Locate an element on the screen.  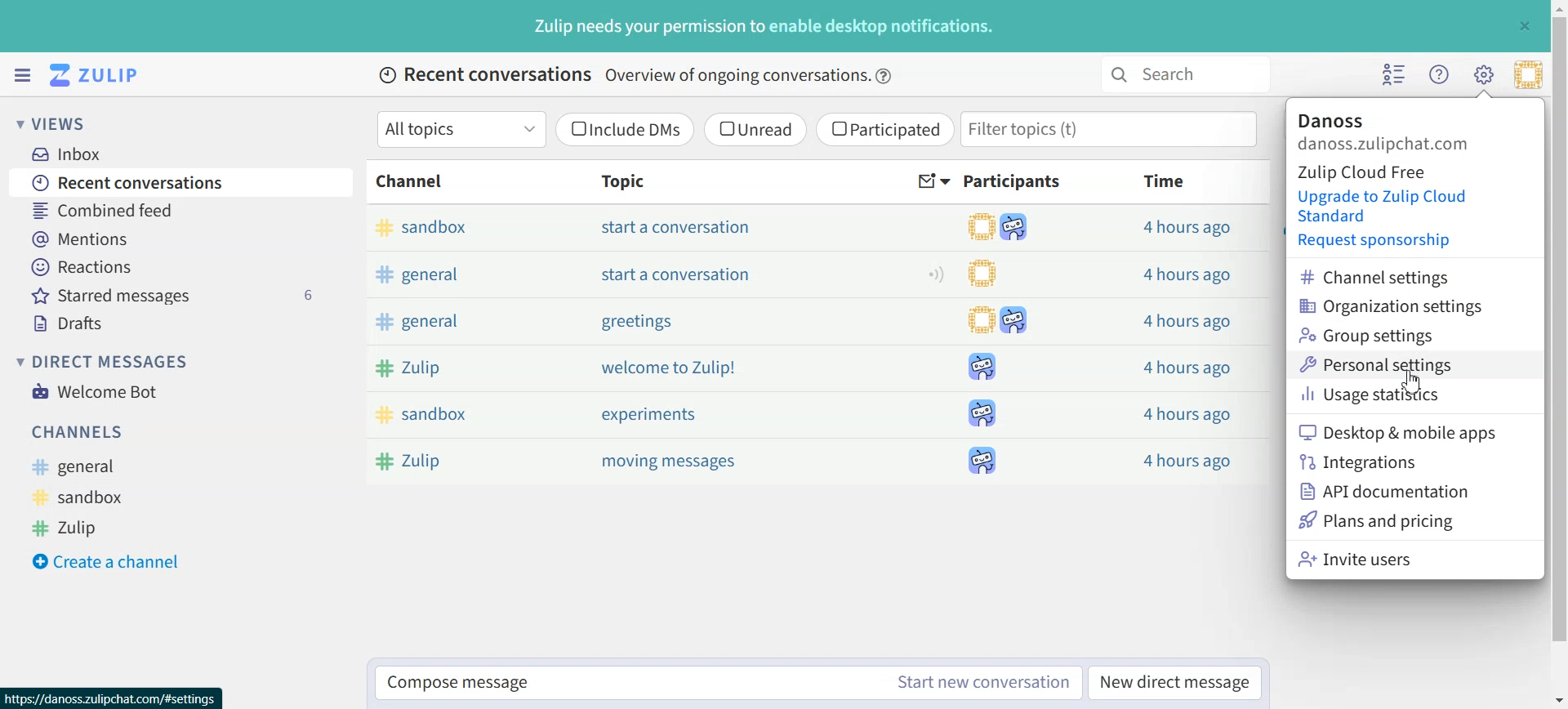
Danossdanoss.zulipchat.com is located at coordinates (1385, 132).